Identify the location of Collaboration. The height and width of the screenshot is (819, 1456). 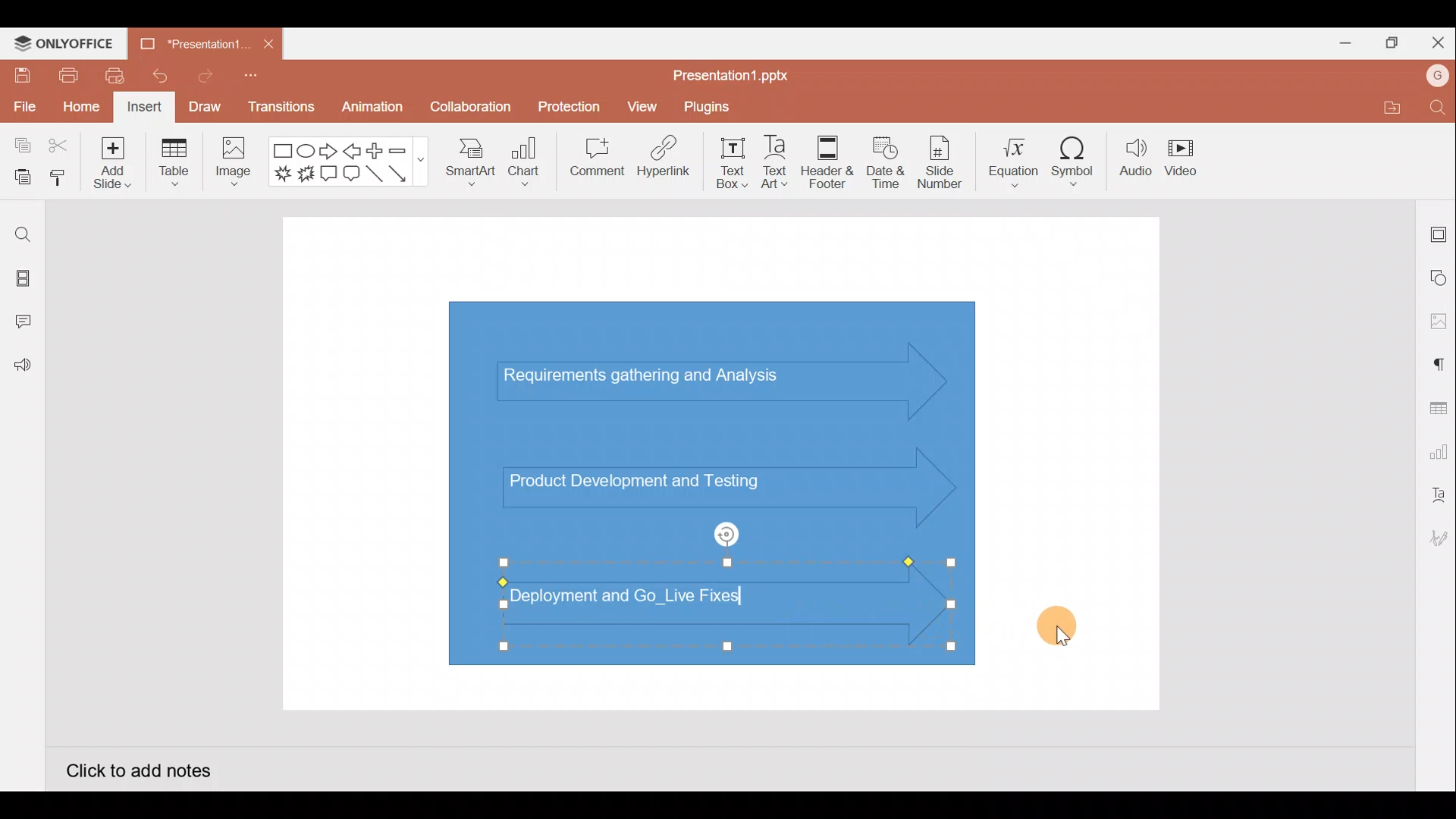
(469, 113).